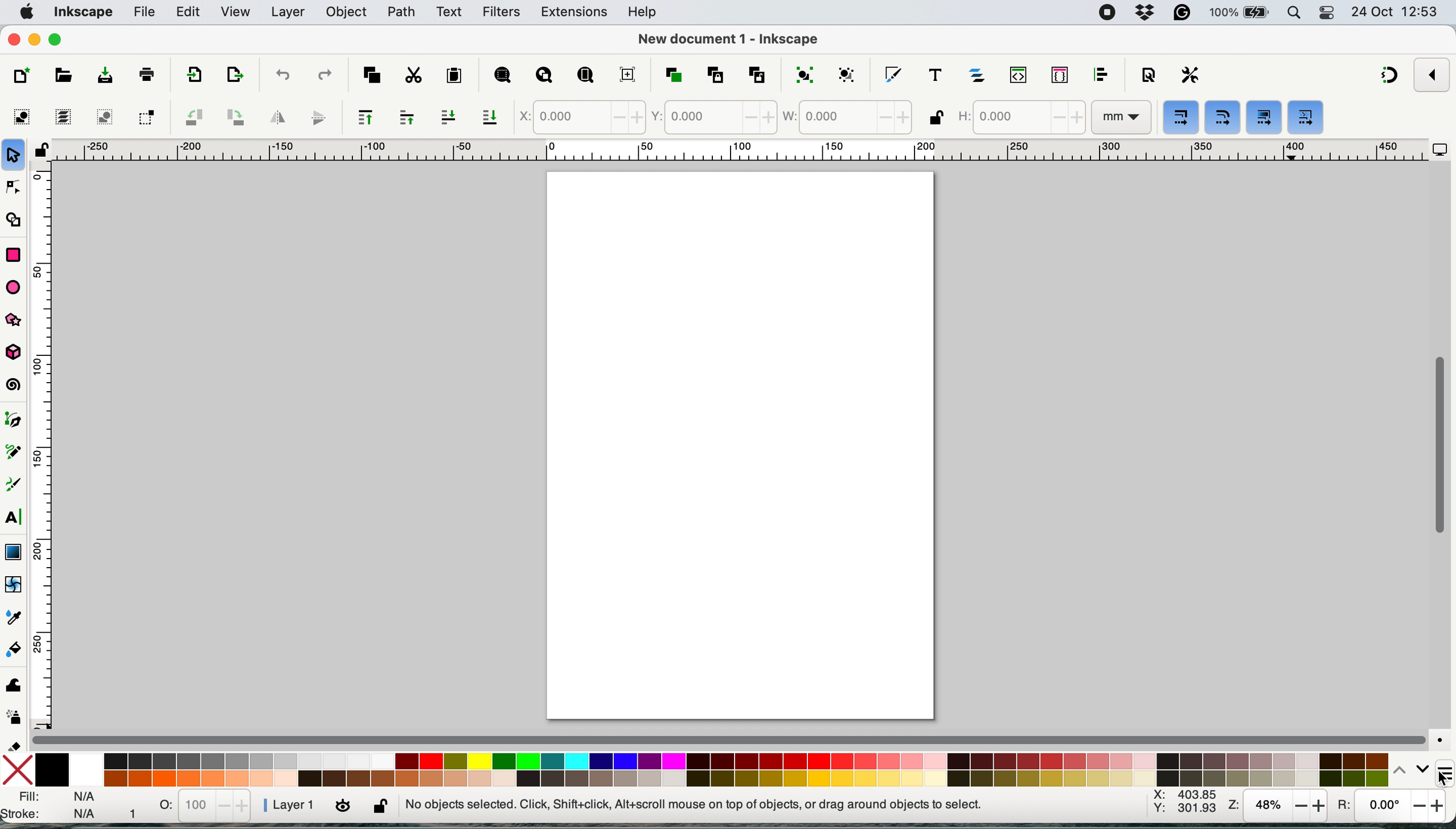 The width and height of the screenshot is (1456, 829). Describe the element at coordinates (1311, 117) in the screenshot. I see `move gradients` at that location.